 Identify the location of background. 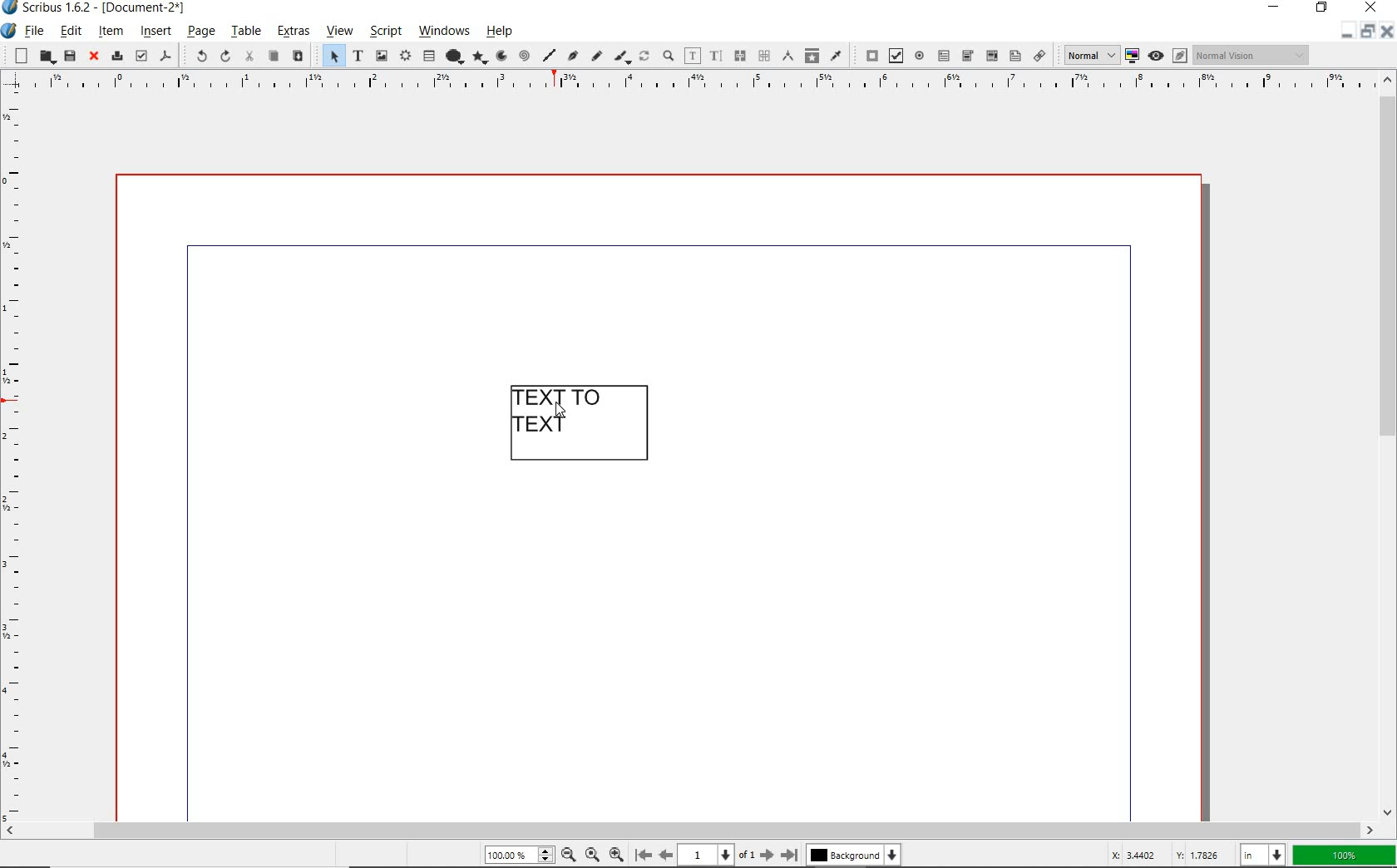
(861, 855).